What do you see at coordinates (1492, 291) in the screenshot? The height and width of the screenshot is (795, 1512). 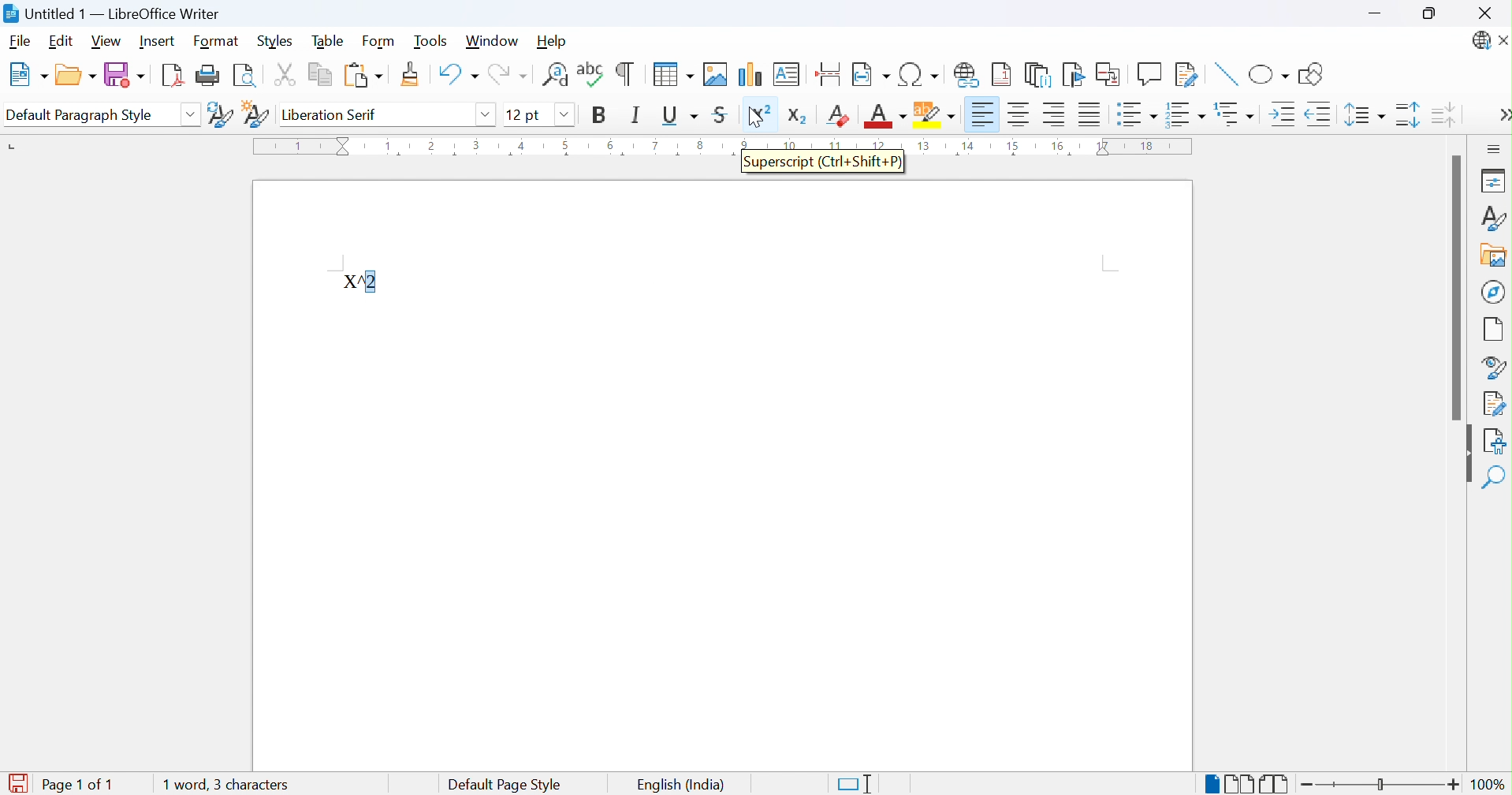 I see `Navigator` at bounding box center [1492, 291].